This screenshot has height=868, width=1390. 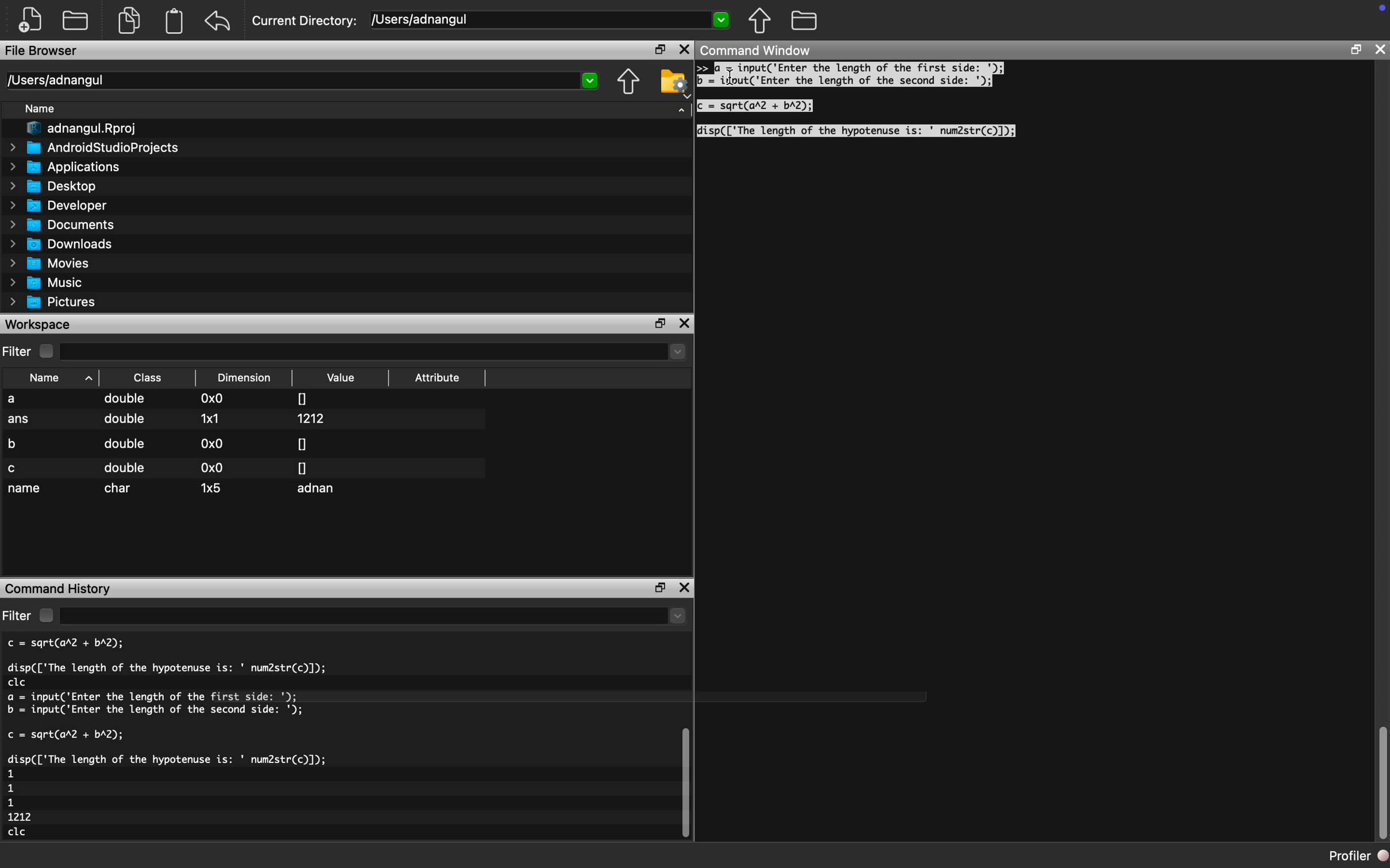 I want to click on restore down, so click(x=1355, y=52).